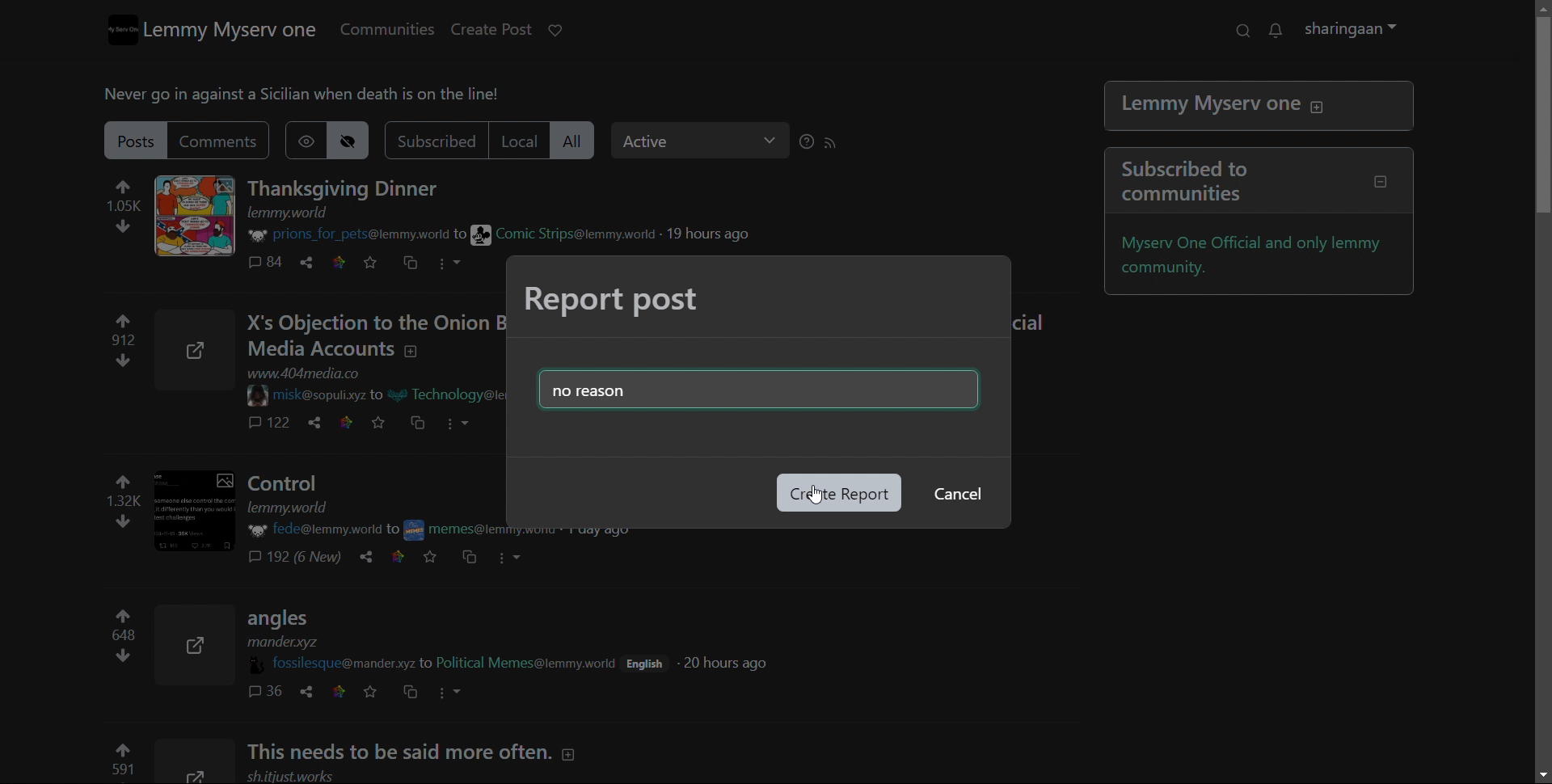 This screenshot has height=784, width=1552. What do you see at coordinates (458, 529) in the screenshot?
I see `community` at bounding box center [458, 529].